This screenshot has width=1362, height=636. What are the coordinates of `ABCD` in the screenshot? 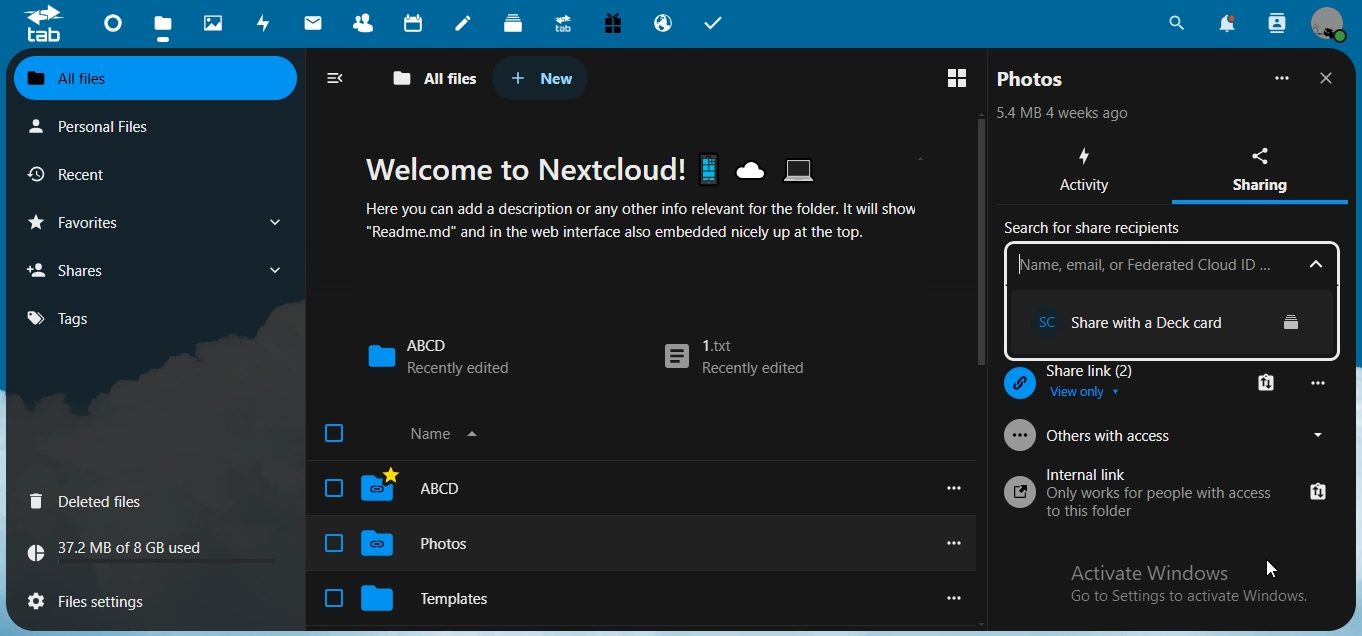 It's located at (396, 486).